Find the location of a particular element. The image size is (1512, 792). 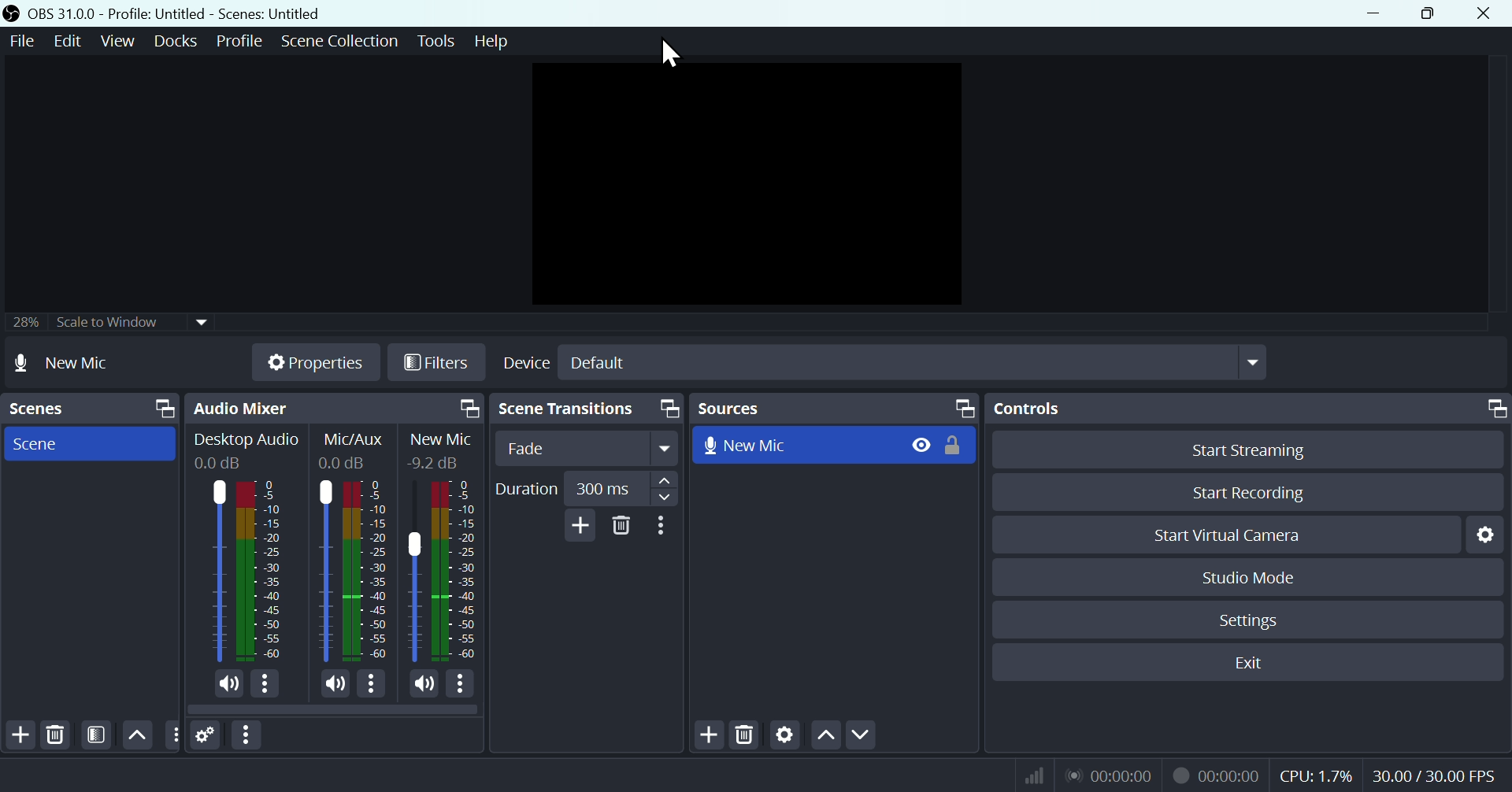

(un)mute is located at coordinates (227, 684).